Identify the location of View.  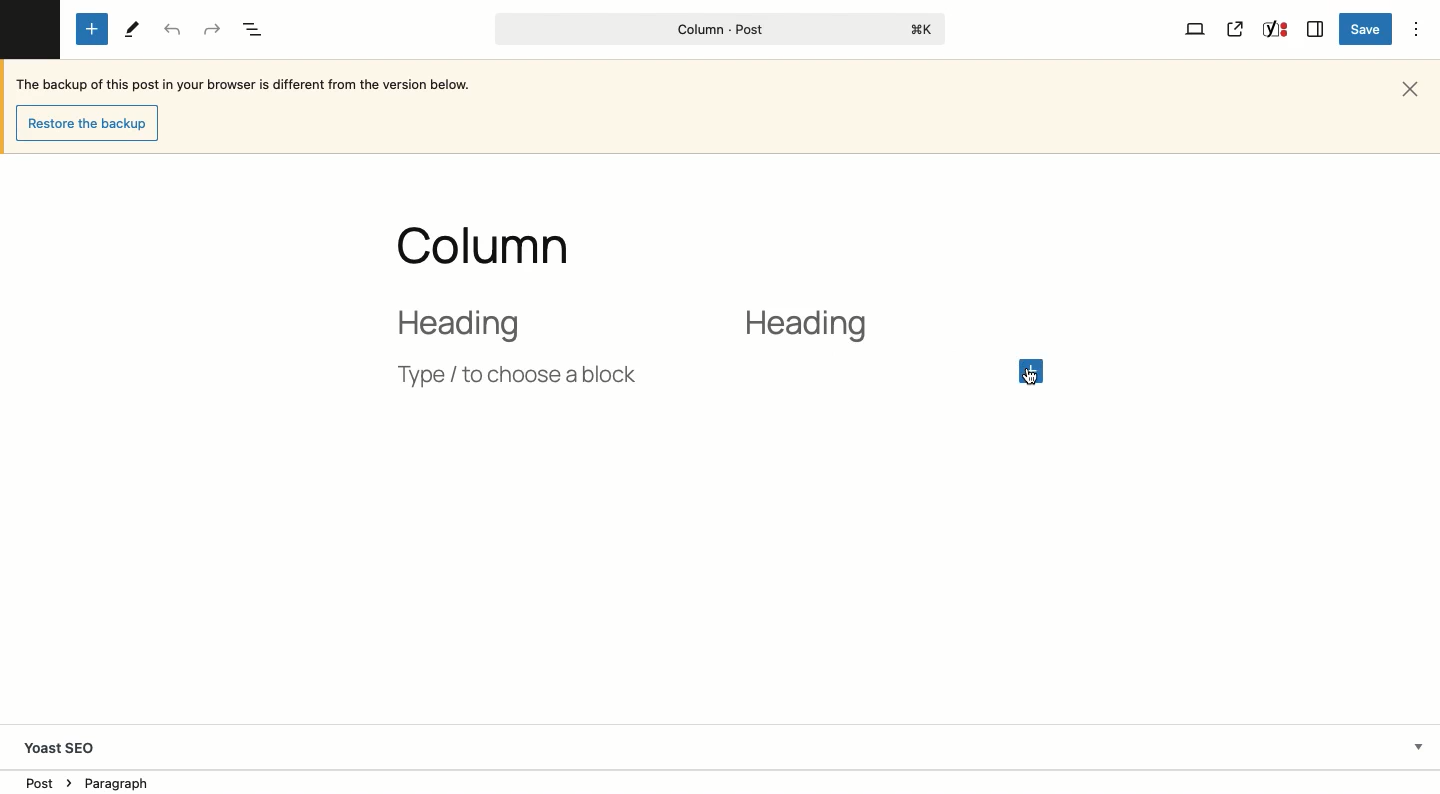
(1196, 28).